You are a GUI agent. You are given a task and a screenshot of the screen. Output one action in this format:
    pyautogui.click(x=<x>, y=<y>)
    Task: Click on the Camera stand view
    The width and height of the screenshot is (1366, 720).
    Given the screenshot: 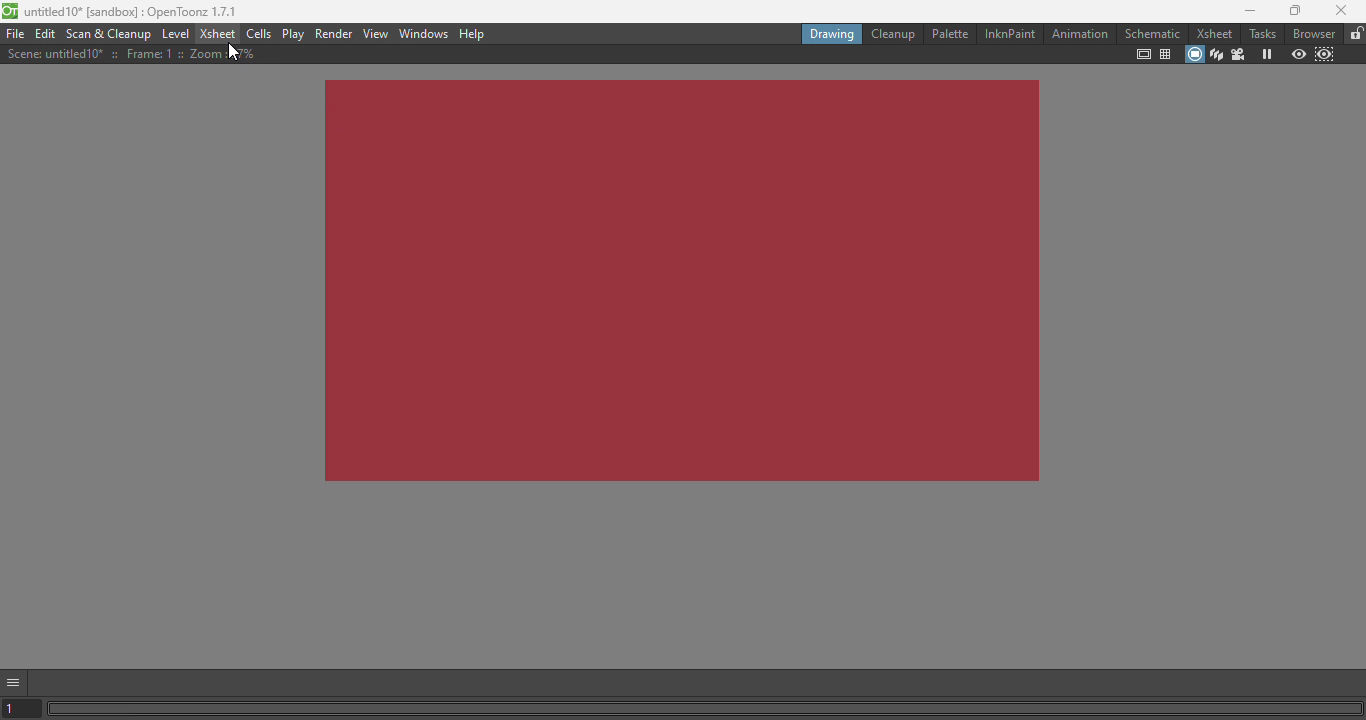 What is the action you would take?
    pyautogui.click(x=1193, y=56)
    